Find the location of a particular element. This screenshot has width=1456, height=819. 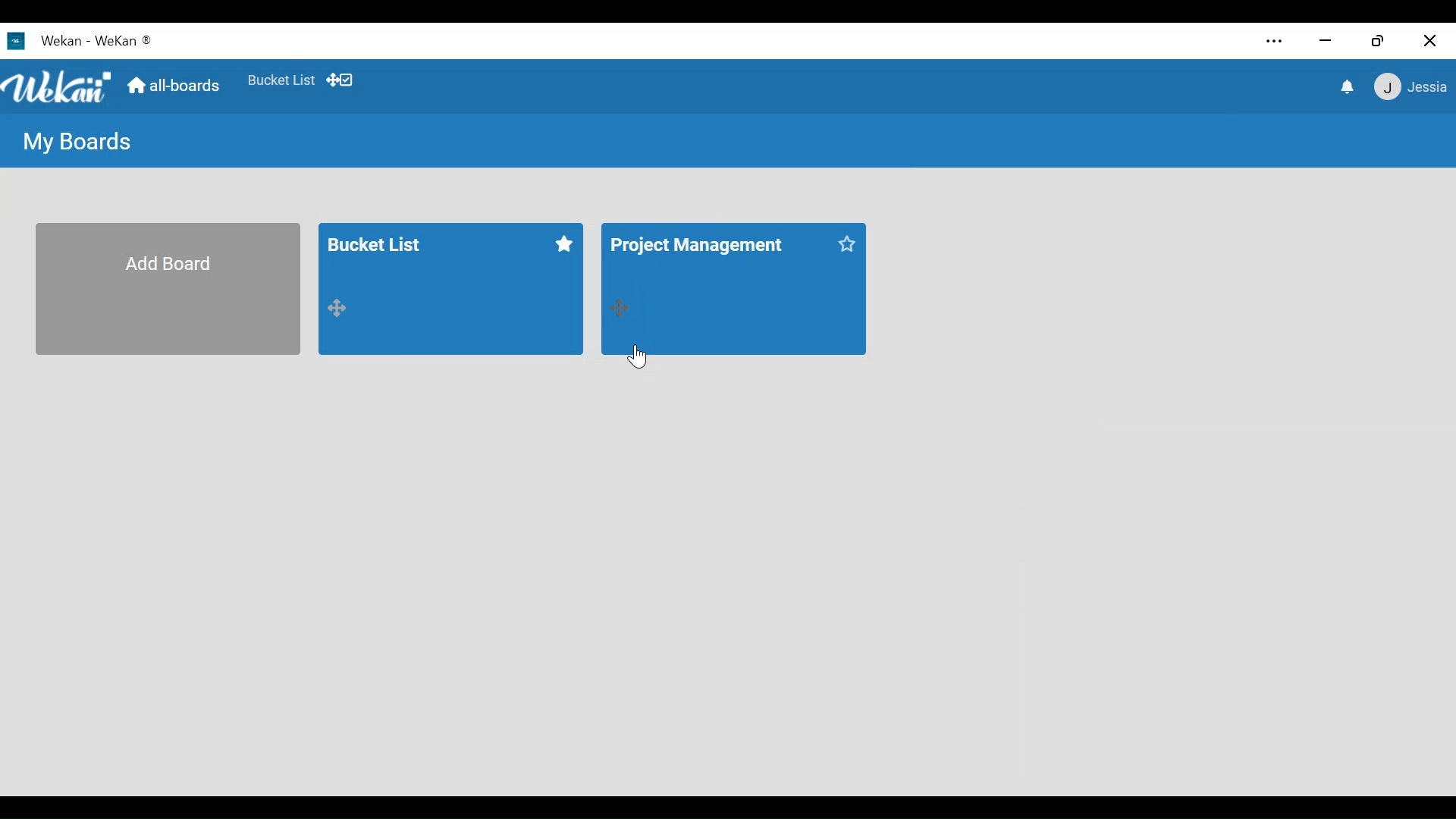

Bucket list is located at coordinates (450, 289).